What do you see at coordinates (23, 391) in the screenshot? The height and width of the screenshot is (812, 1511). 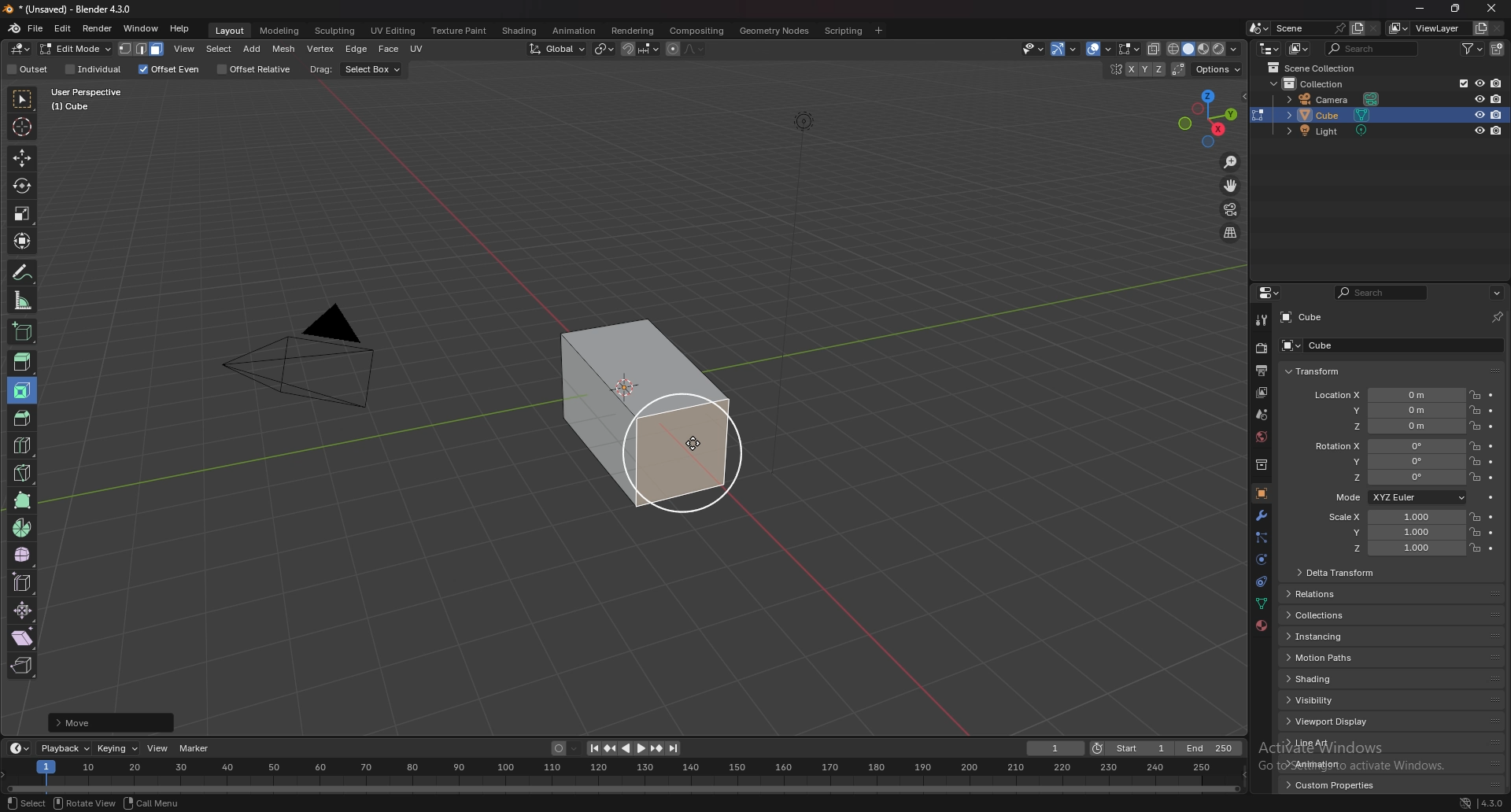 I see `inset faces` at bounding box center [23, 391].